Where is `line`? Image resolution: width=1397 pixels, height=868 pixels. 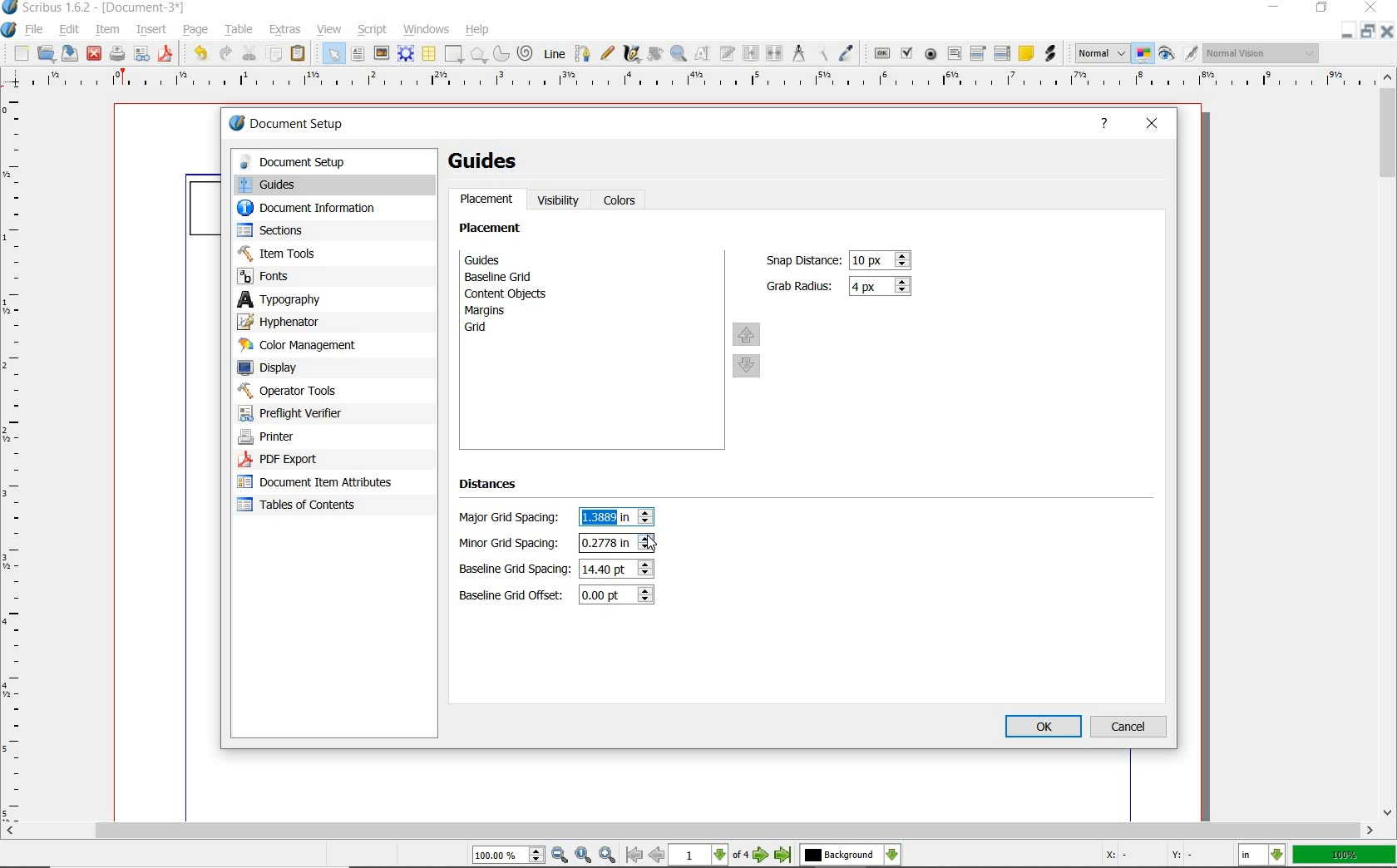
line is located at coordinates (554, 52).